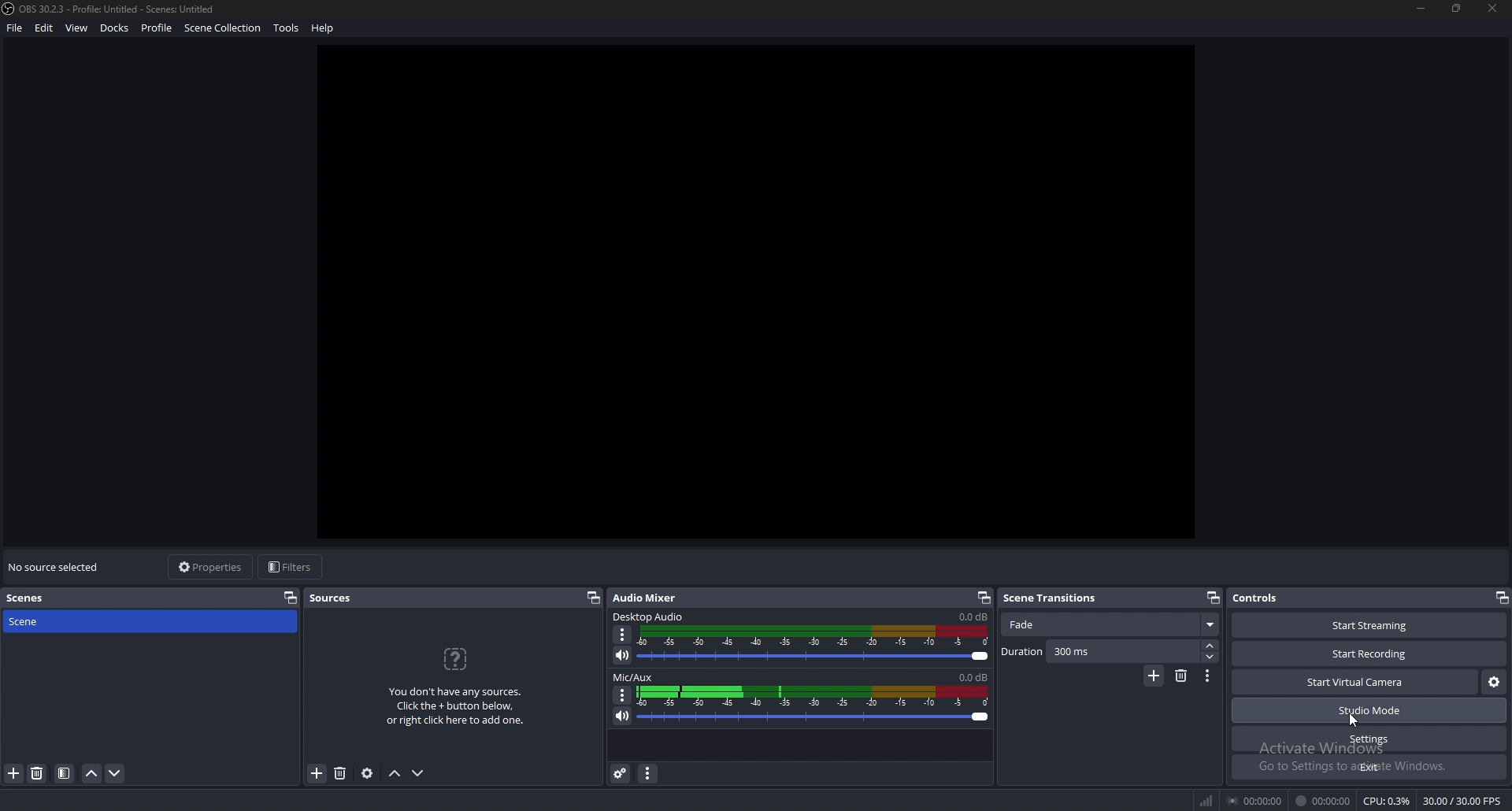 The height and width of the screenshot is (811, 1512). I want to click on view, so click(77, 28).